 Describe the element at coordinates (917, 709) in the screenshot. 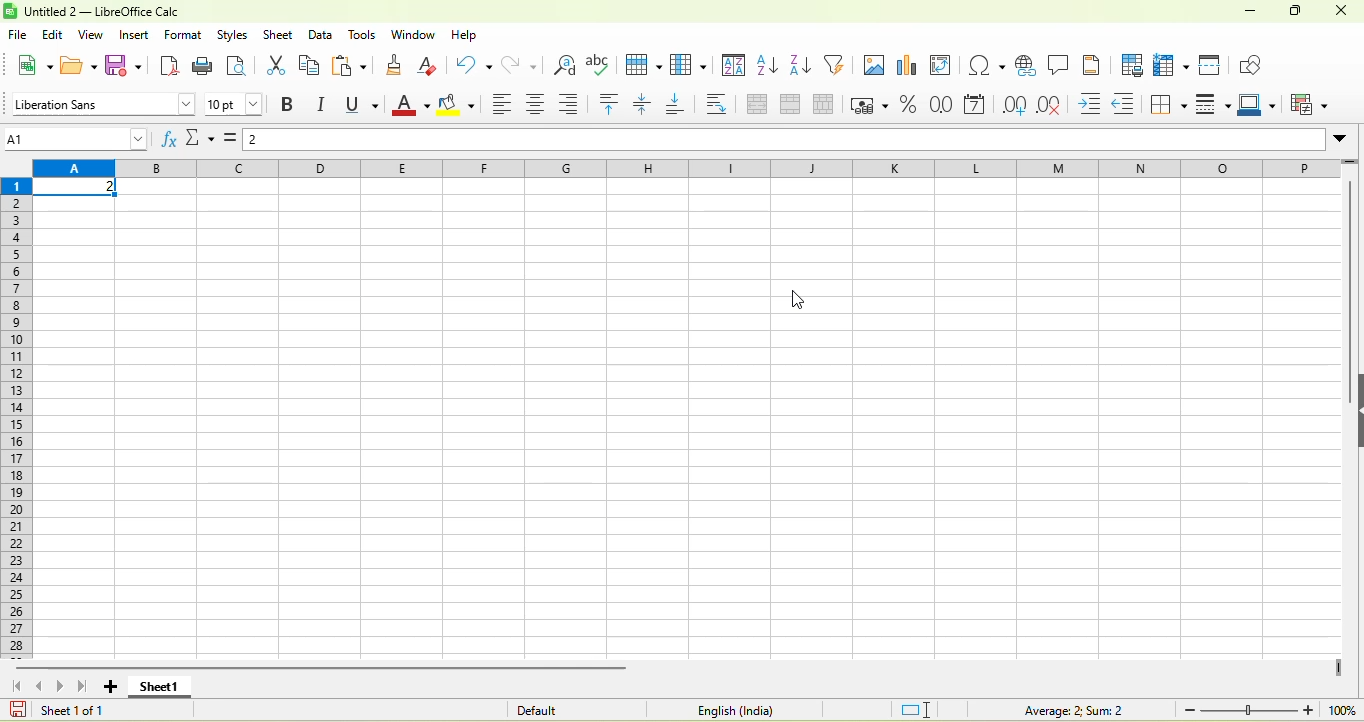

I see `standard selection` at that location.